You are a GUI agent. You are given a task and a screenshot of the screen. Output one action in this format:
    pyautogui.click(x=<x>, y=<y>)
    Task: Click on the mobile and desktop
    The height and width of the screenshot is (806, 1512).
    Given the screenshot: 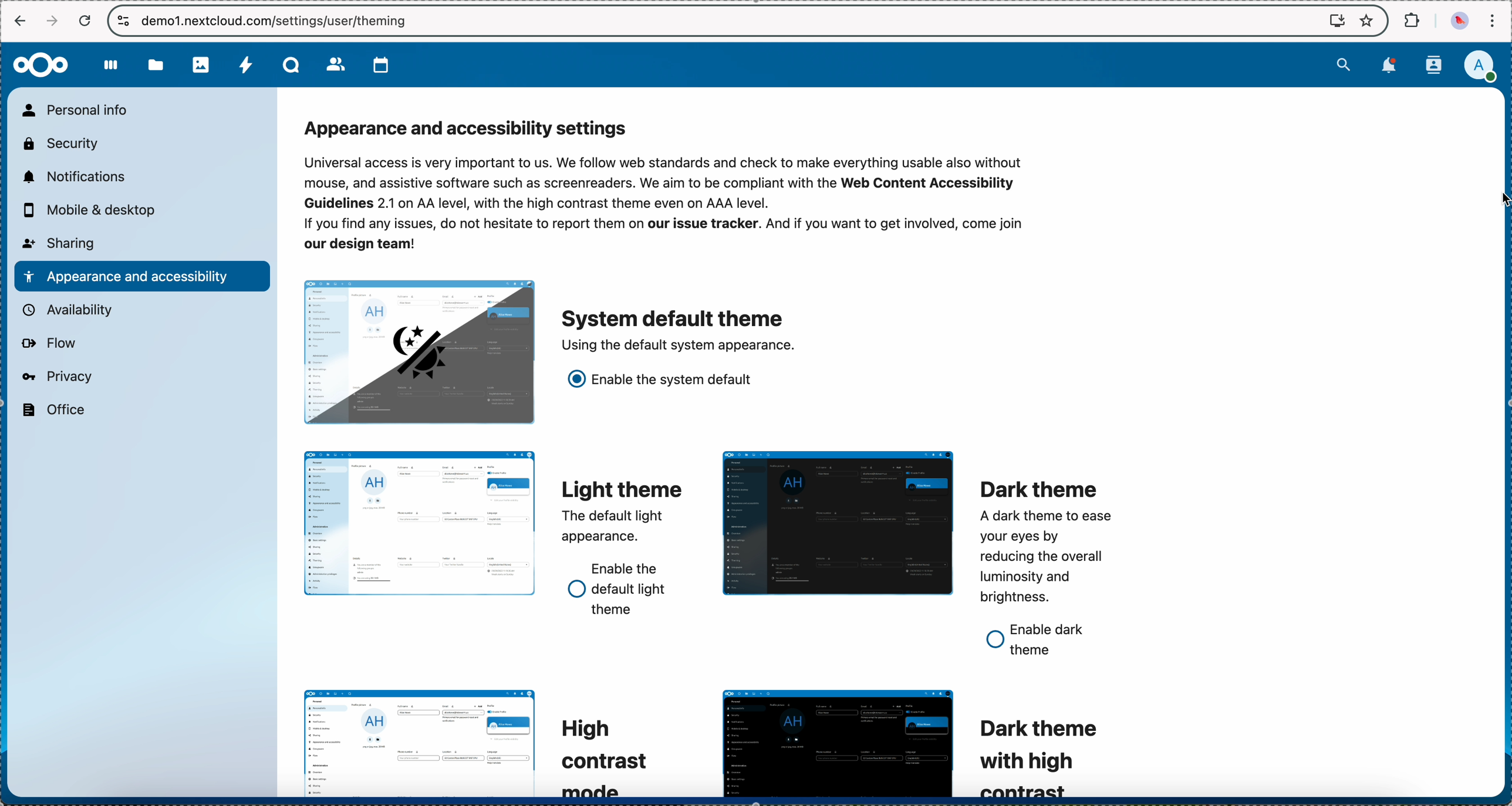 What is the action you would take?
    pyautogui.click(x=95, y=209)
    